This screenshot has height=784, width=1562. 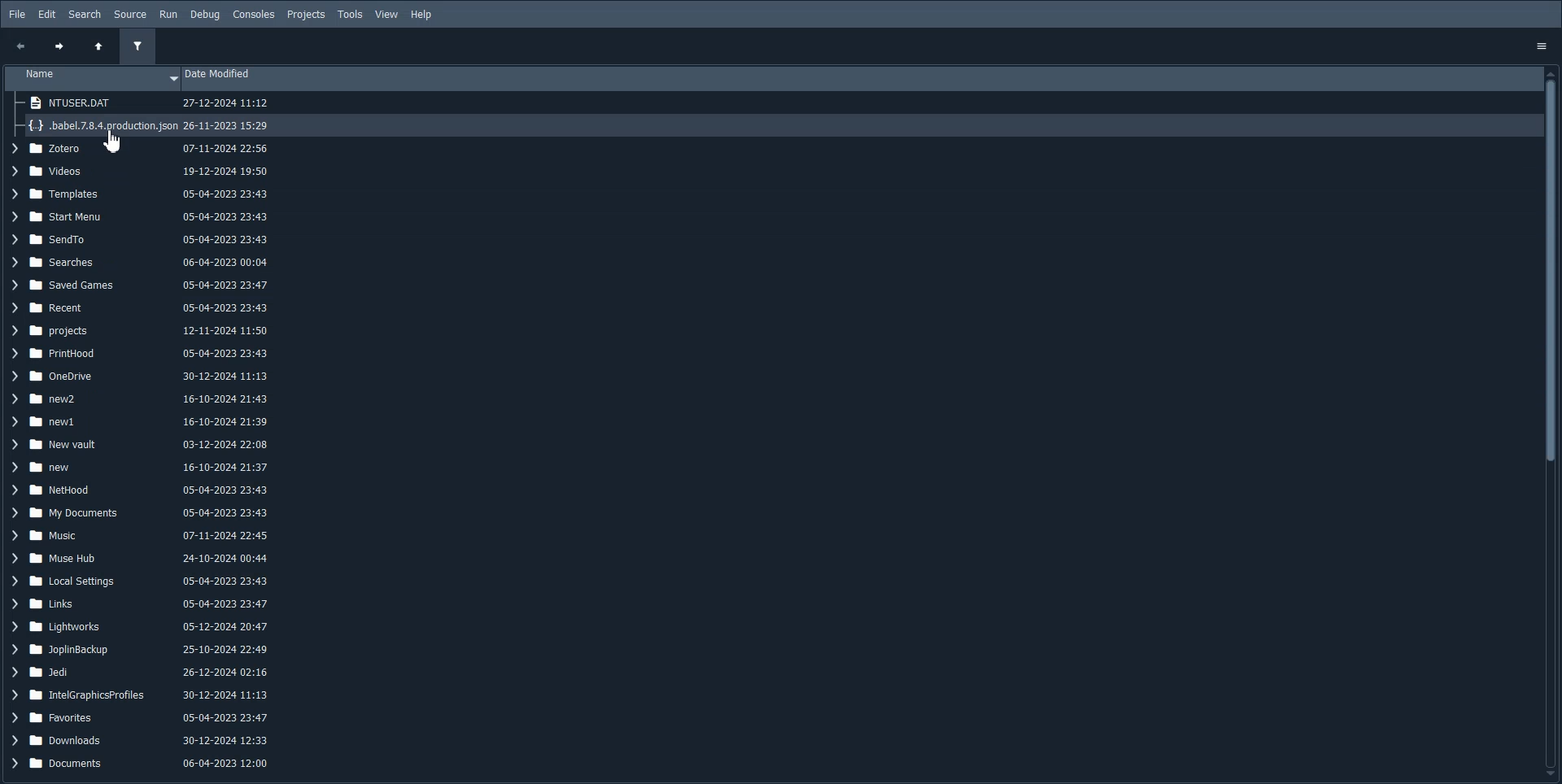 I want to click on Vertical scroll bar, so click(x=1552, y=423).